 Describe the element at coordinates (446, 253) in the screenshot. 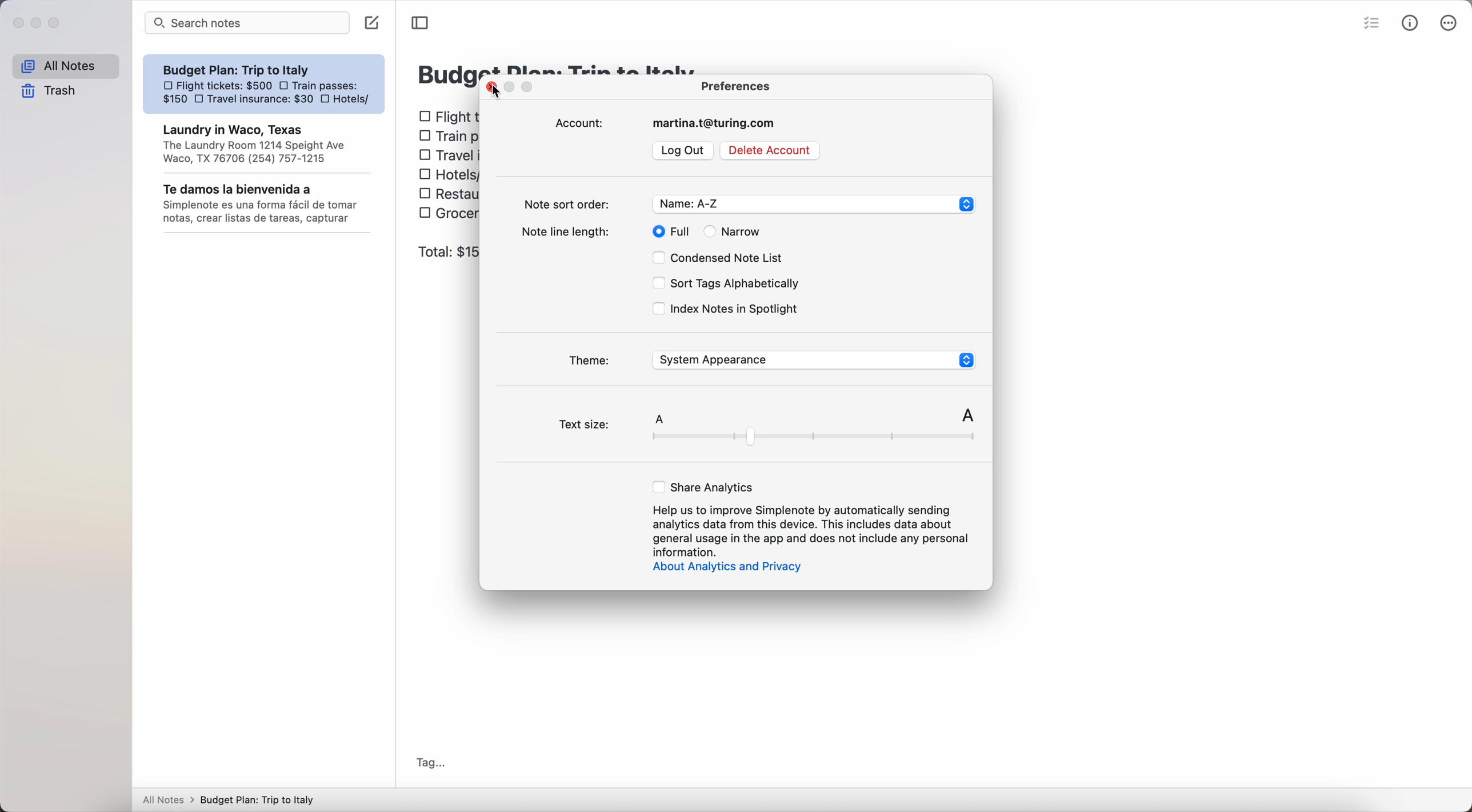

I see `Total: $15` at that location.